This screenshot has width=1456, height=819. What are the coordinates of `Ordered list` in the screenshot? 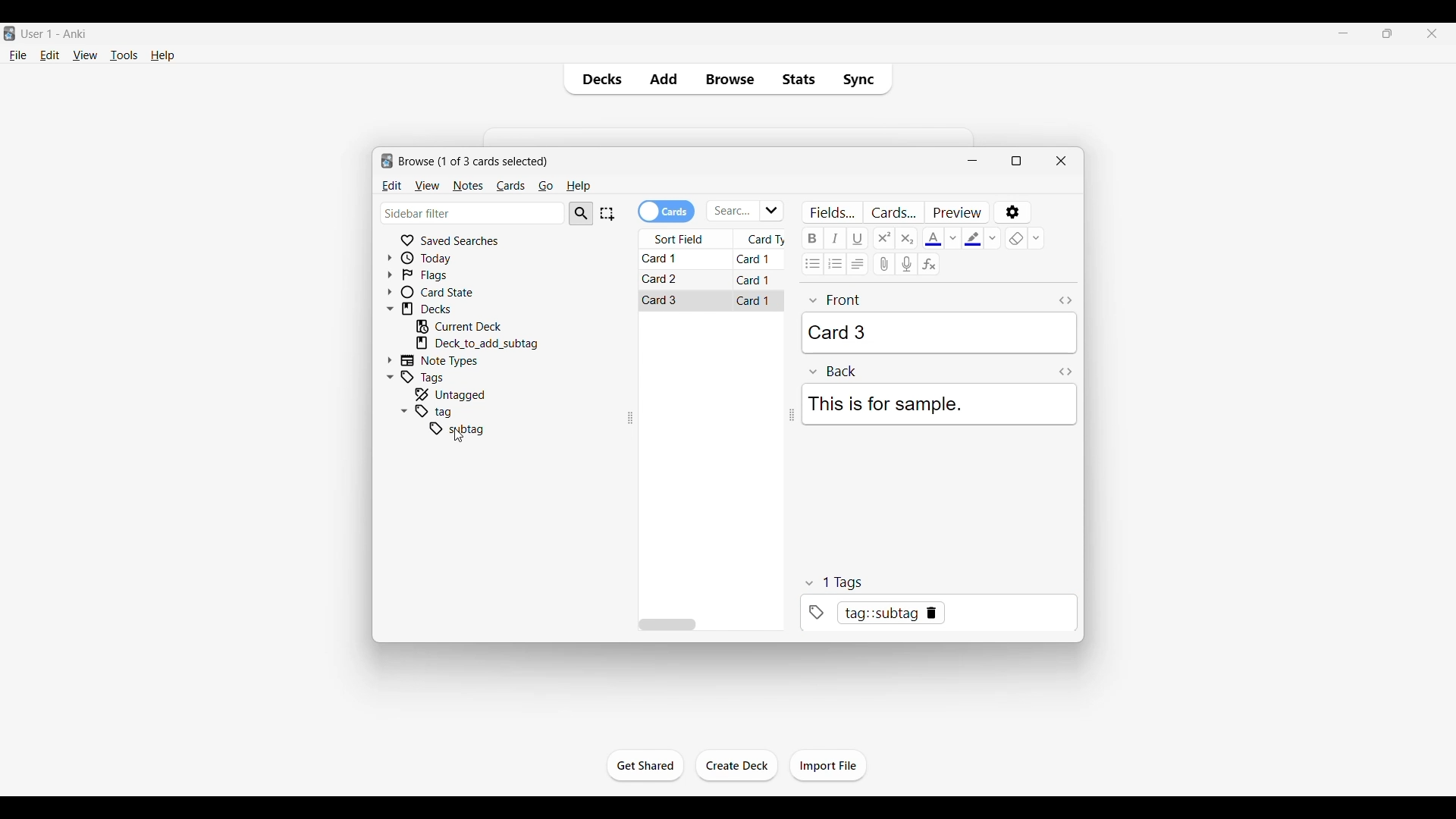 It's located at (834, 264).